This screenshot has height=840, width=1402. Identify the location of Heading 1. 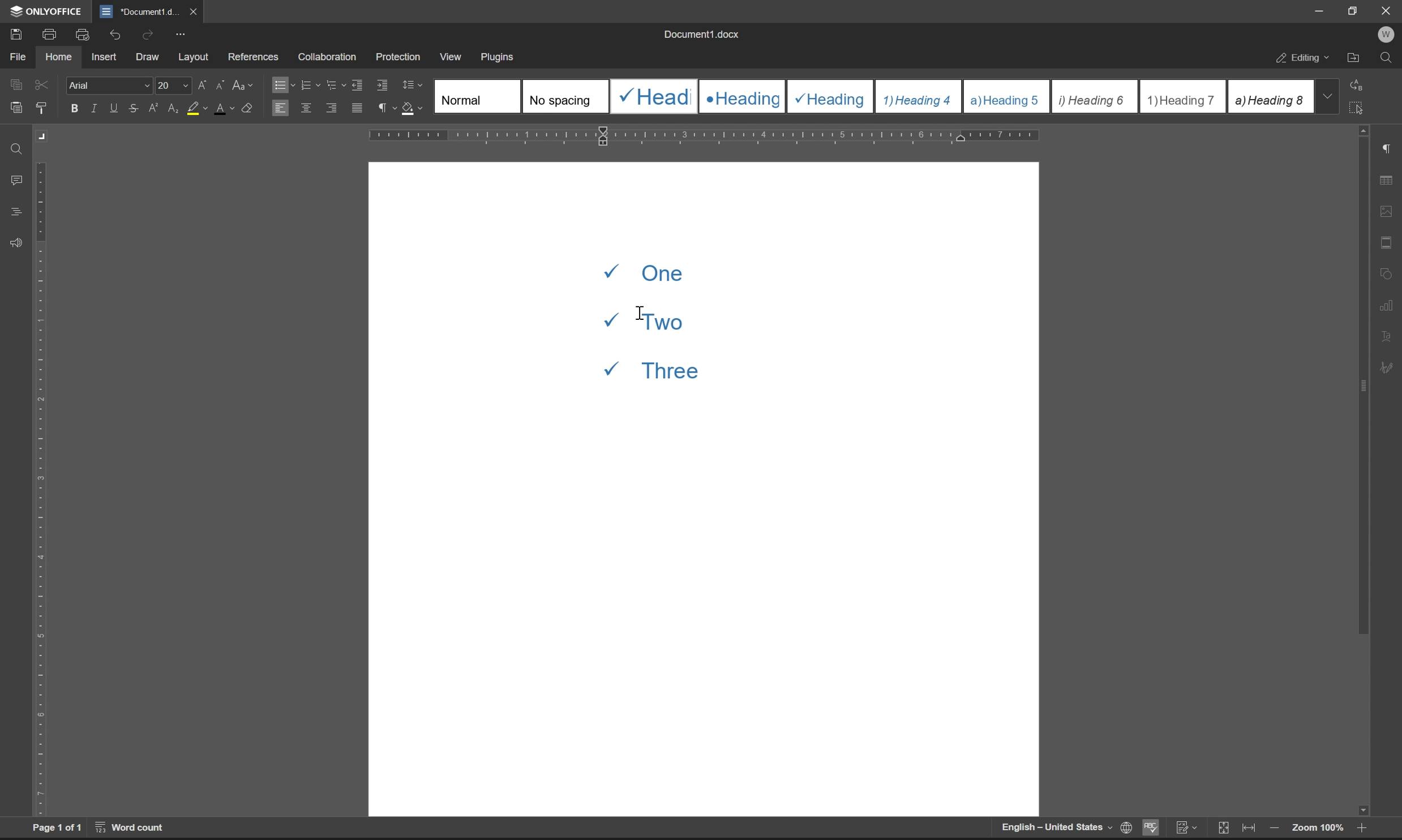
(652, 96).